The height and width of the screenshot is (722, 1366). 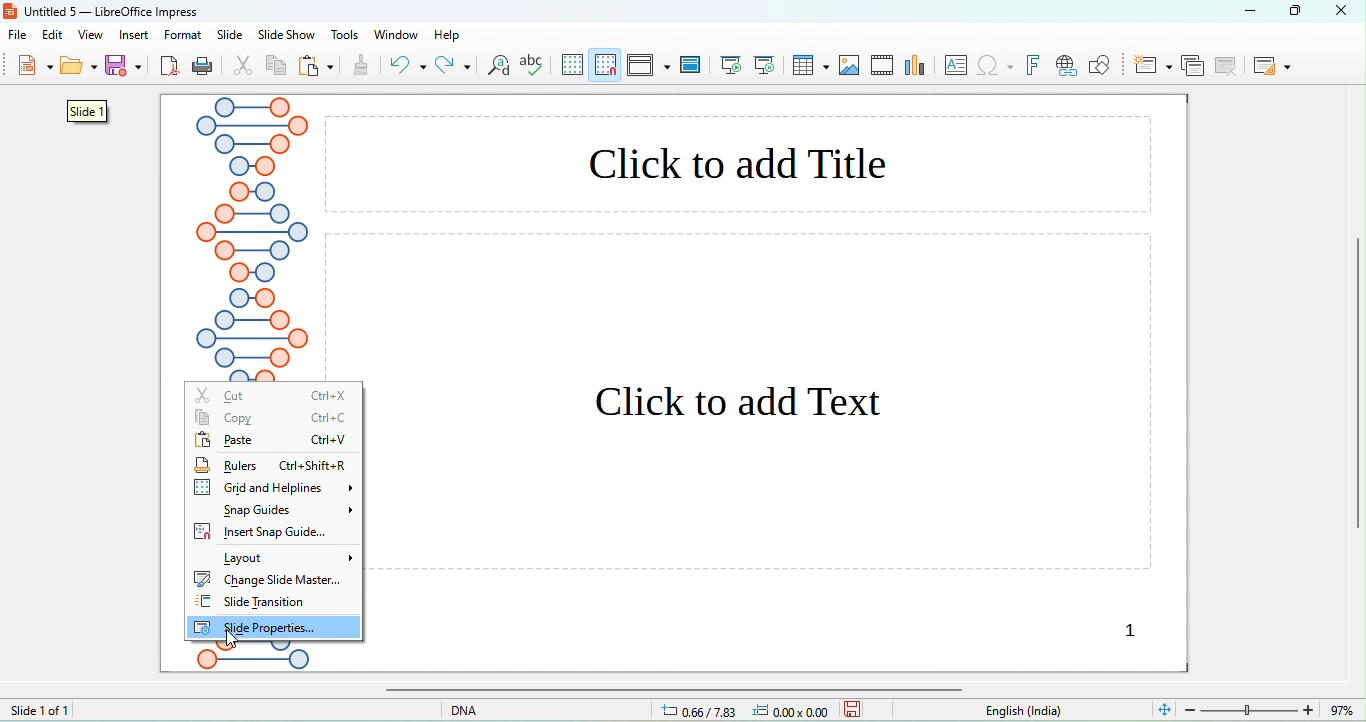 What do you see at coordinates (277, 394) in the screenshot?
I see `cut` at bounding box center [277, 394].